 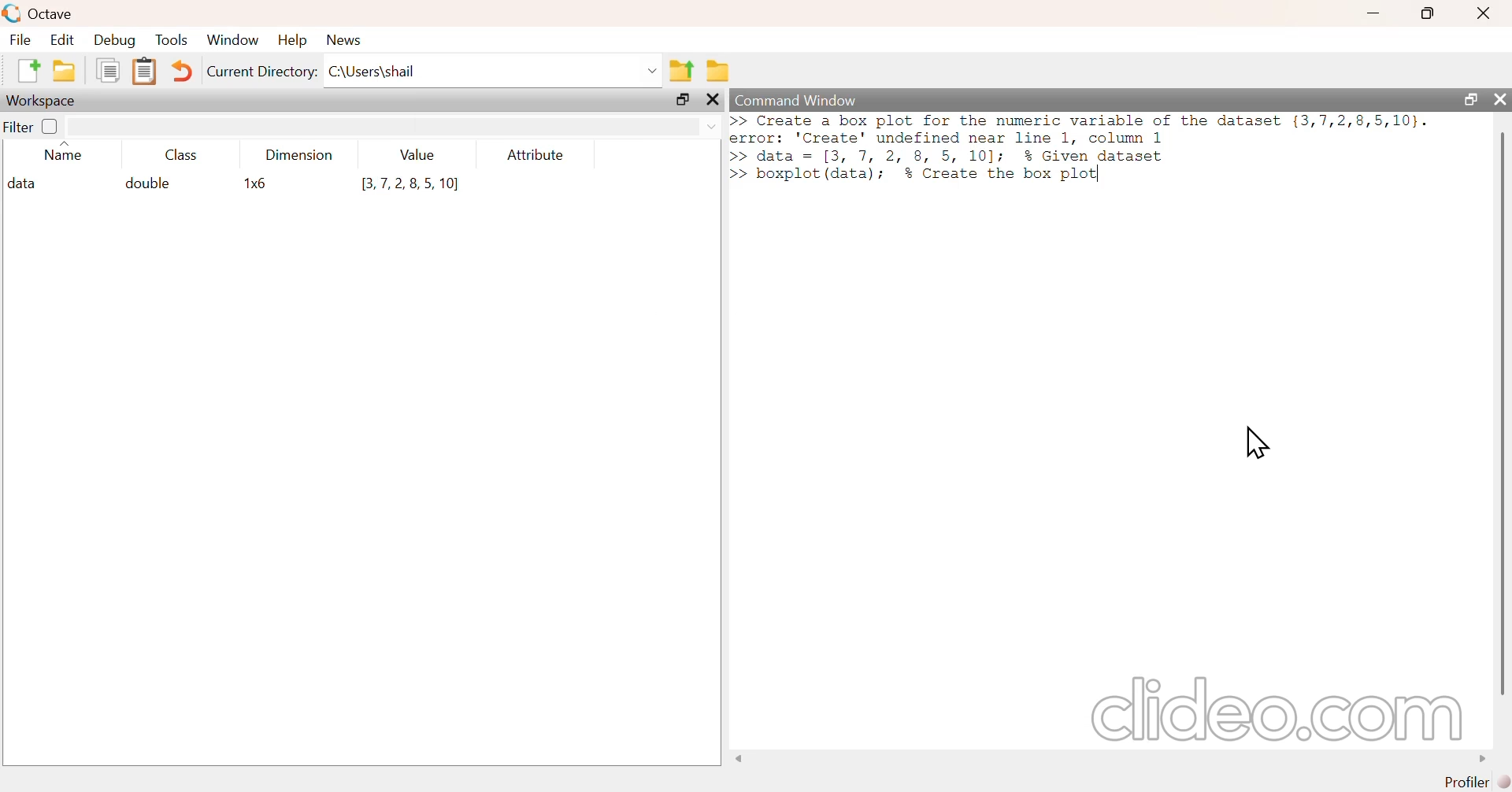 I want to click on maximize, so click(x=1465, y=99).